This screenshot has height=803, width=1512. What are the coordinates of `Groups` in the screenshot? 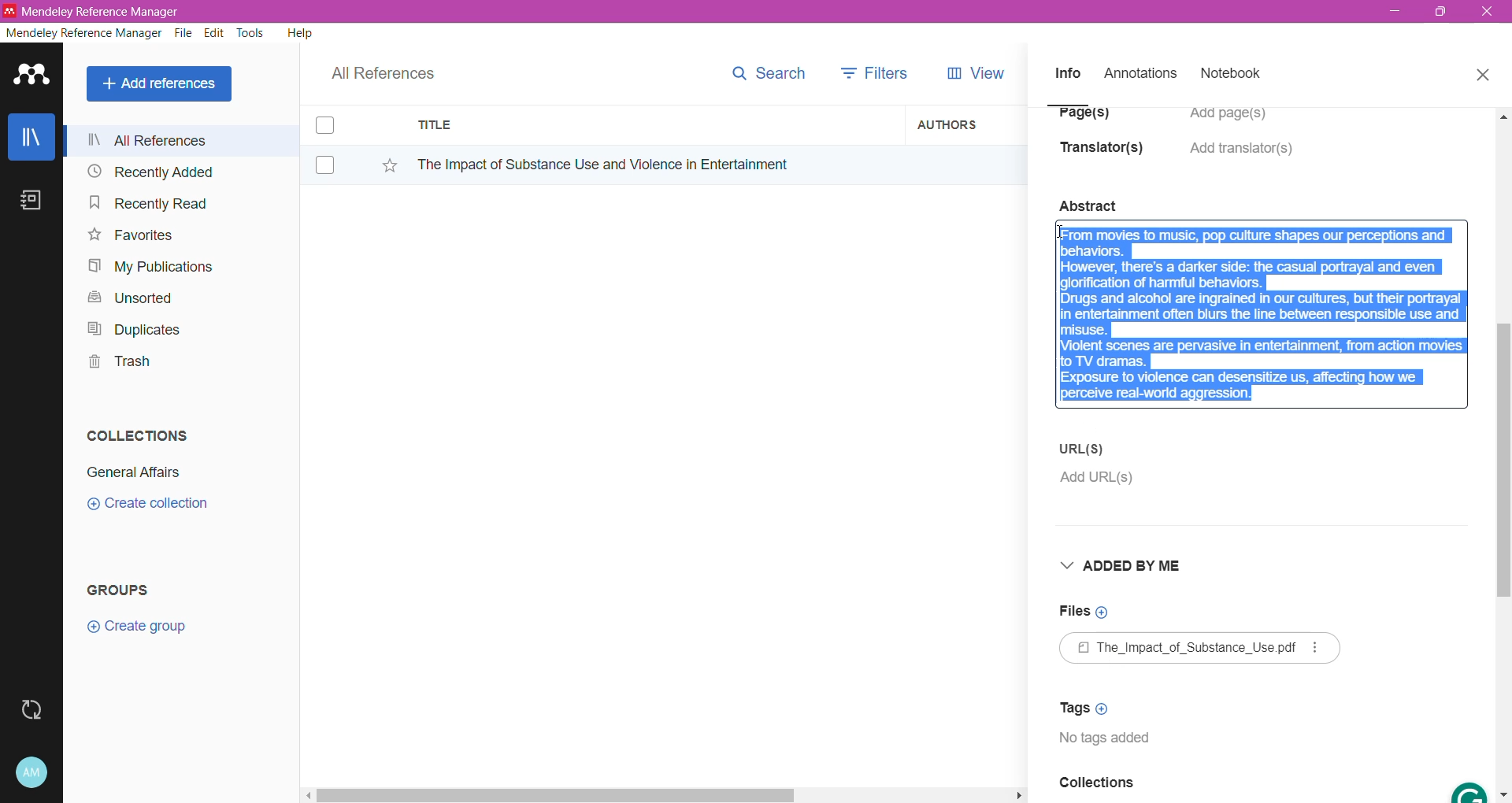 It's located at (124, 589).